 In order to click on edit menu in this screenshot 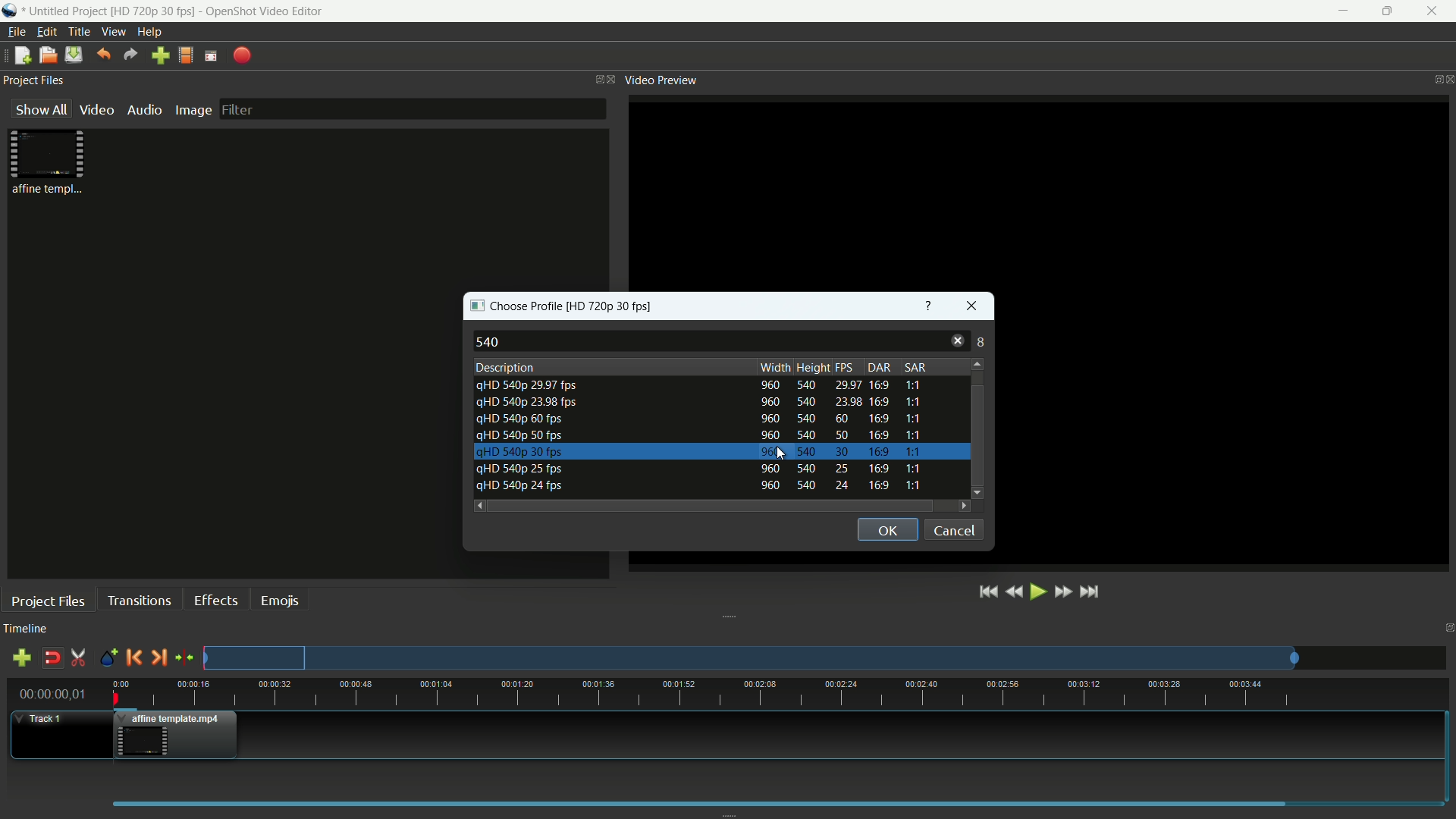, I will do `click(46, 32)`.